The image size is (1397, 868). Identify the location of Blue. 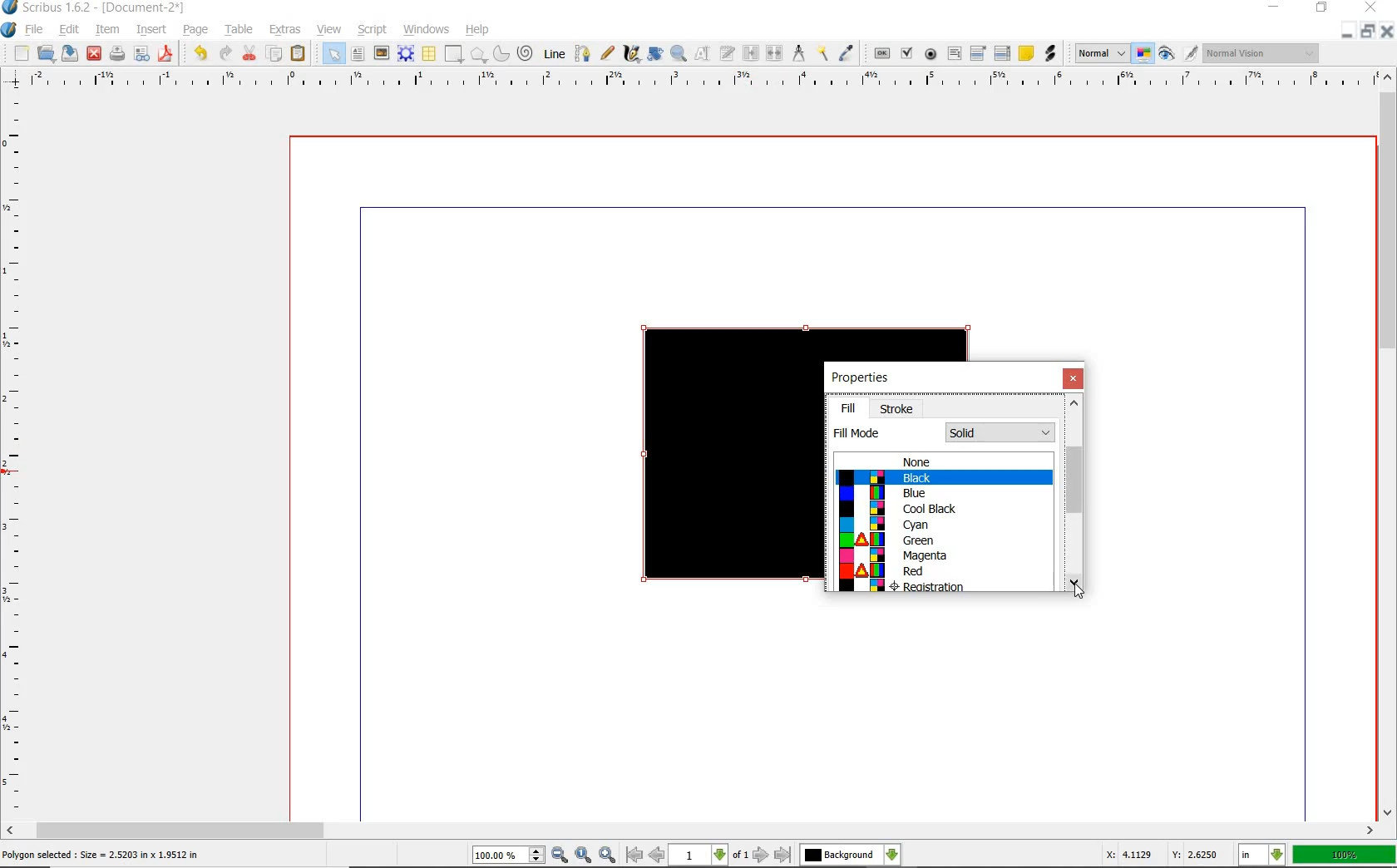
(943, 494).